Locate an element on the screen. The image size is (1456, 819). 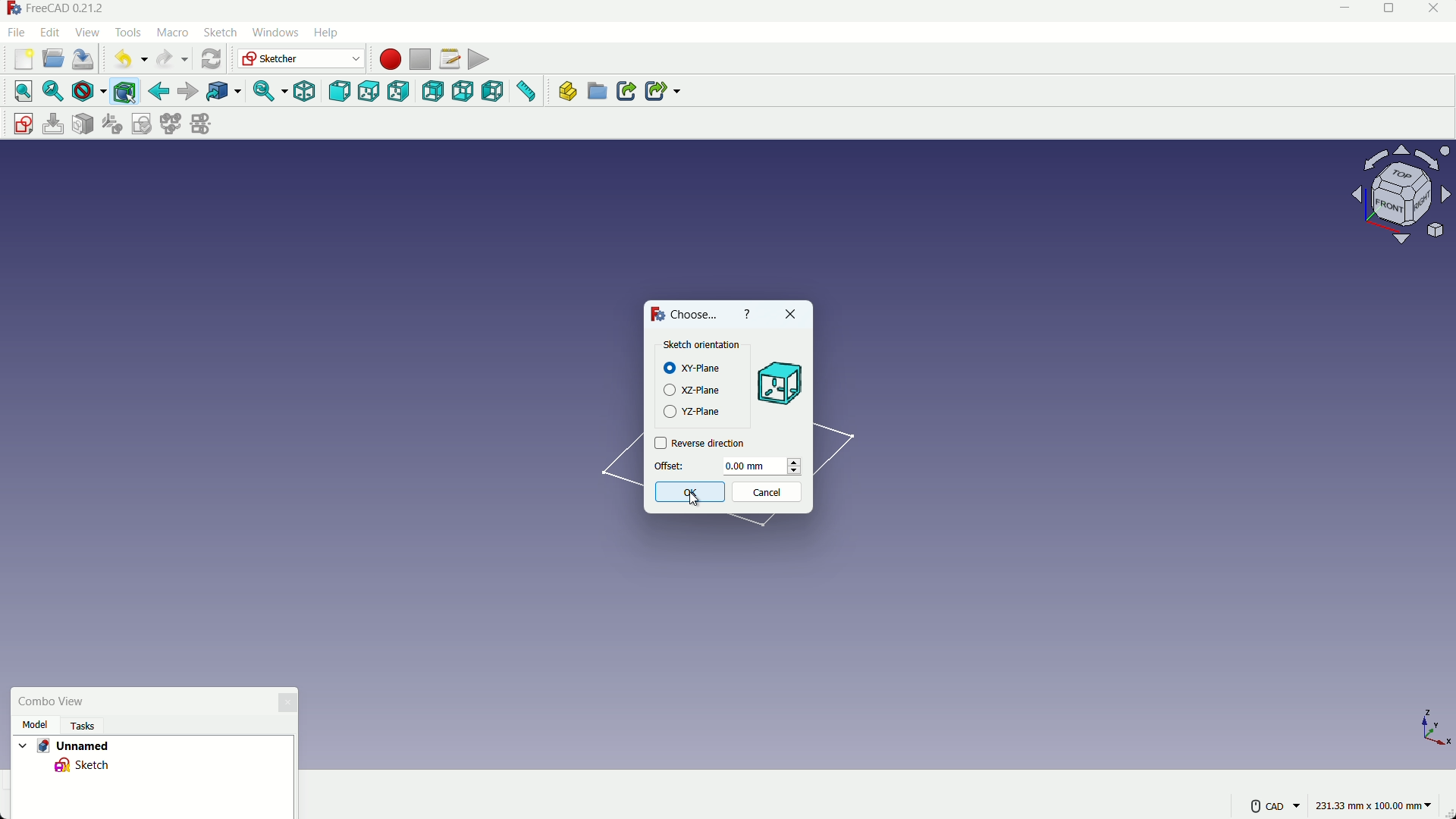
minimize is located at coordinates (1341, 11).